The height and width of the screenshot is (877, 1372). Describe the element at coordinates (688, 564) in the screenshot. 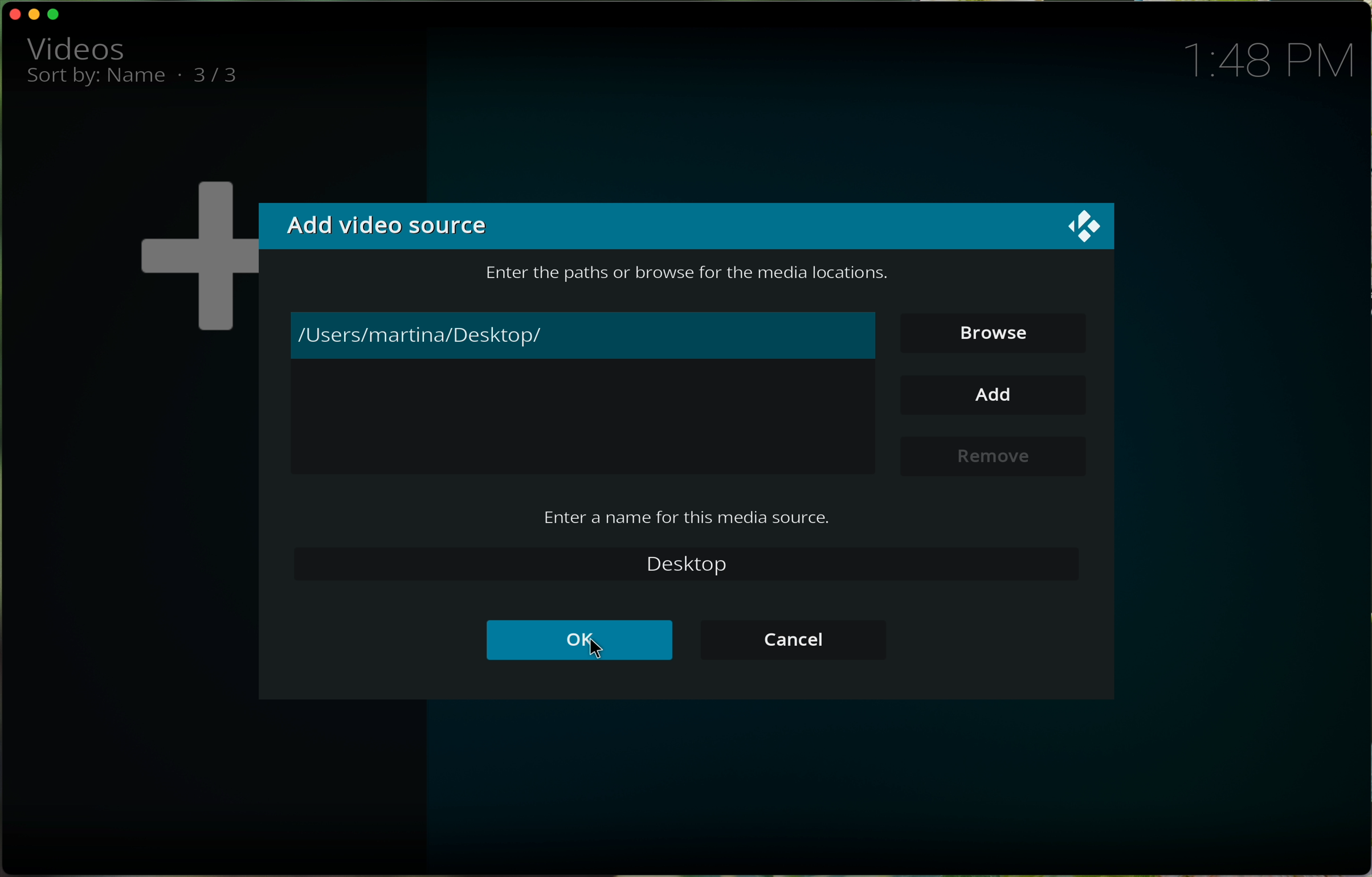

I see `desktop` at that location.